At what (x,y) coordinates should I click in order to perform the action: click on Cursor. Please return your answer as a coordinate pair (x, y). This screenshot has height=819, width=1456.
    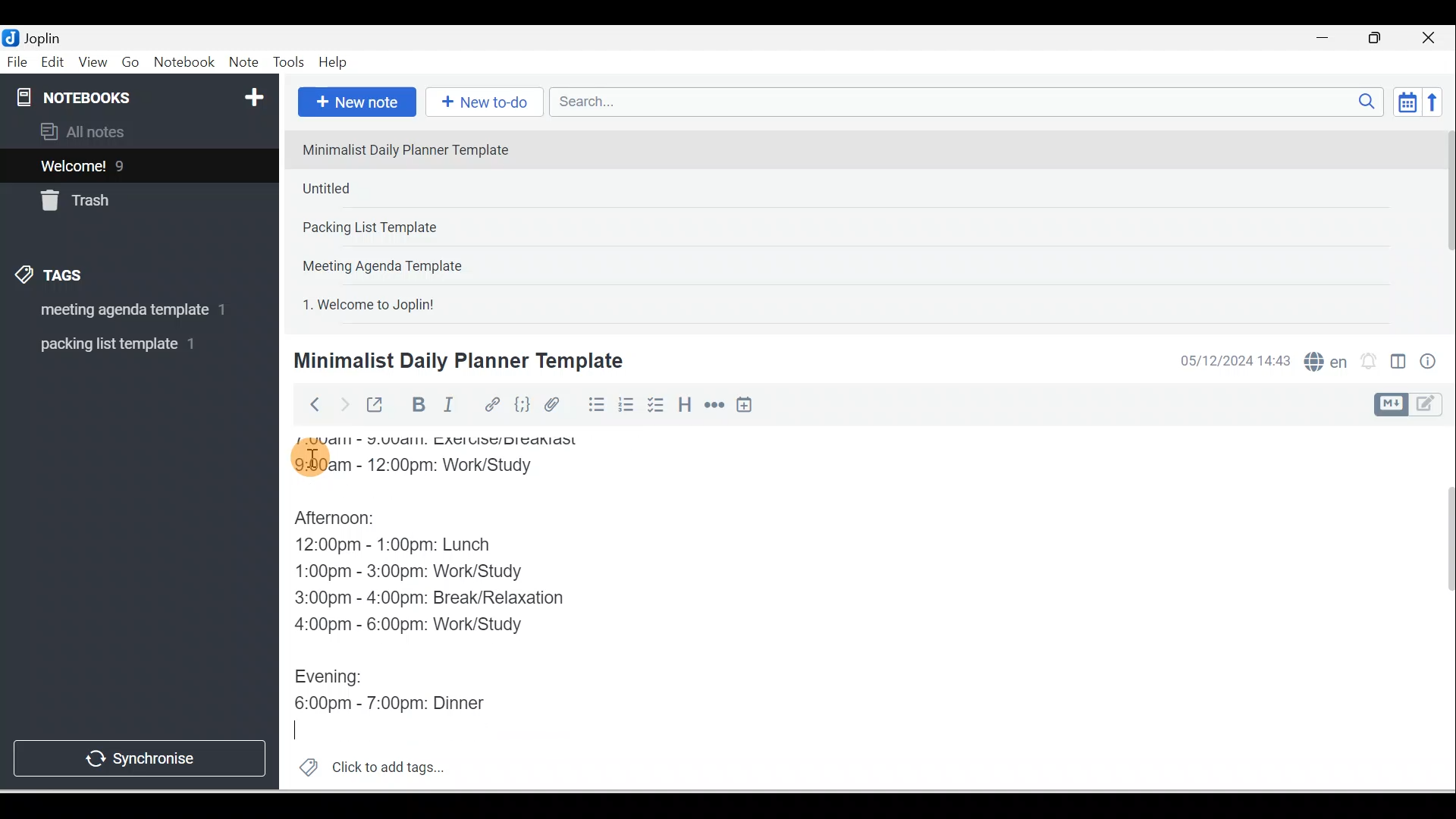
    Looking at the image, I should click on (311, 455).